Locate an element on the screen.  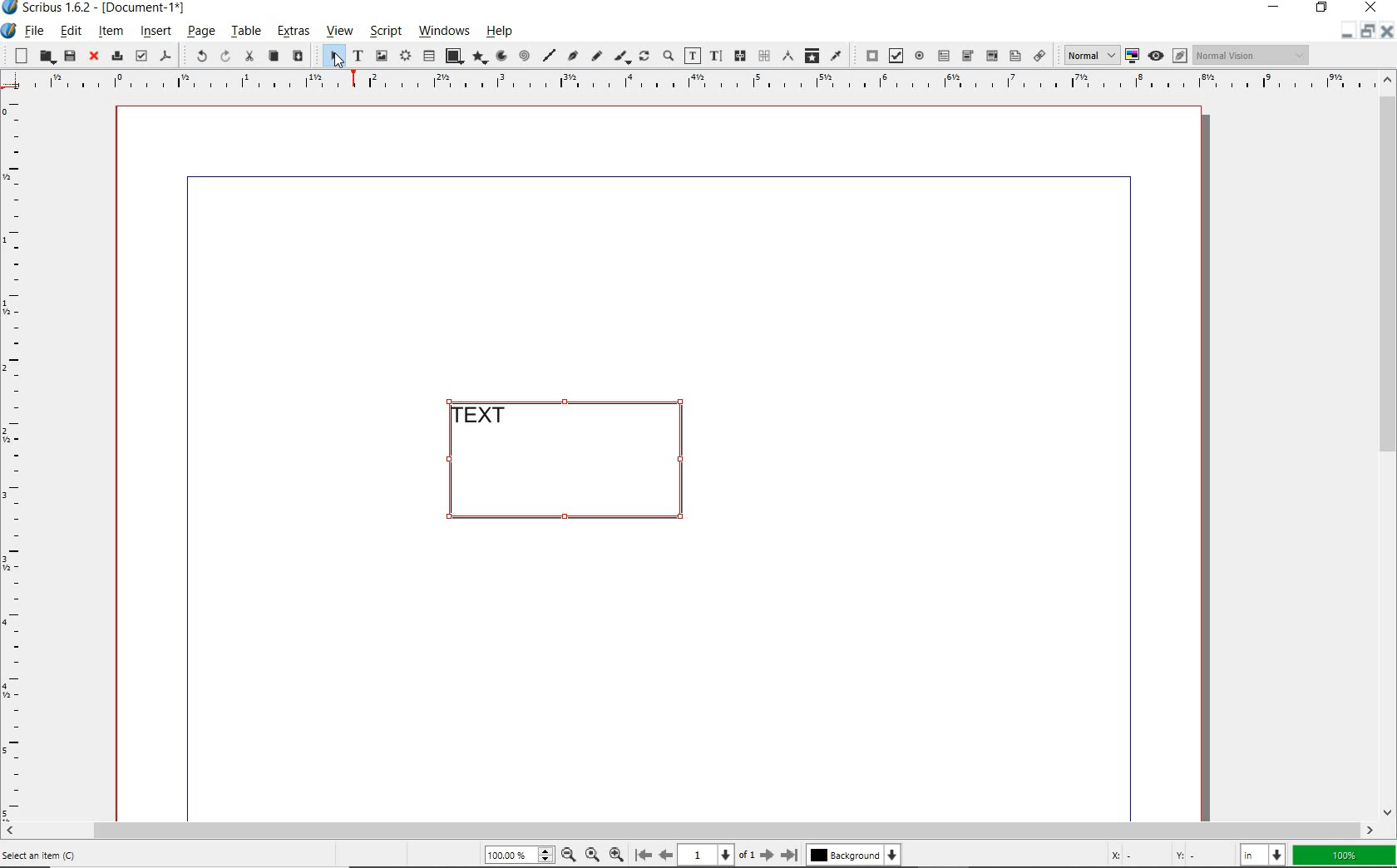
Select an Item (C) is located at coordinates (42, 856).